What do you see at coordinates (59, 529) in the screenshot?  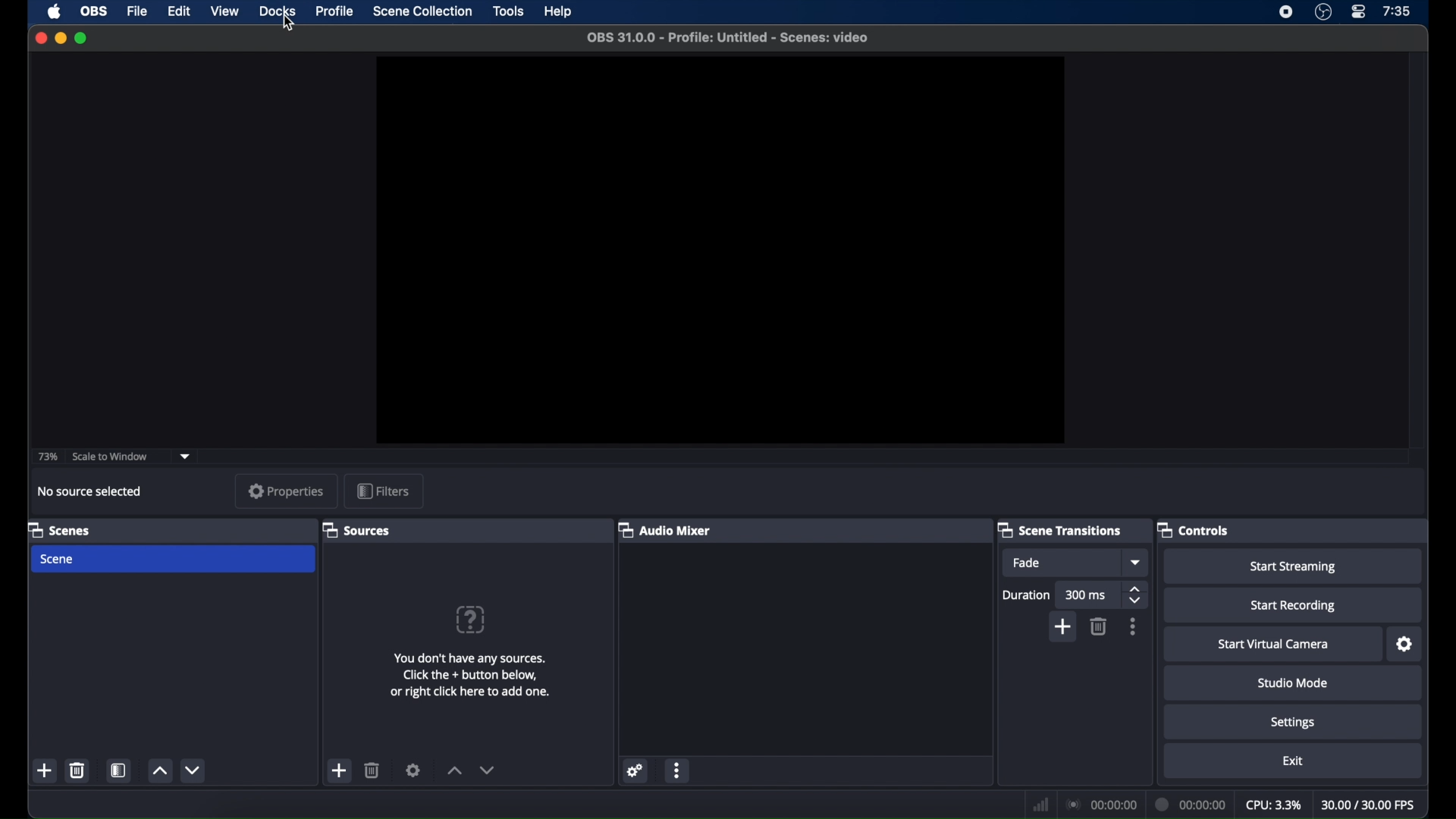 I see `scenes` at bounding box center [59, 529].